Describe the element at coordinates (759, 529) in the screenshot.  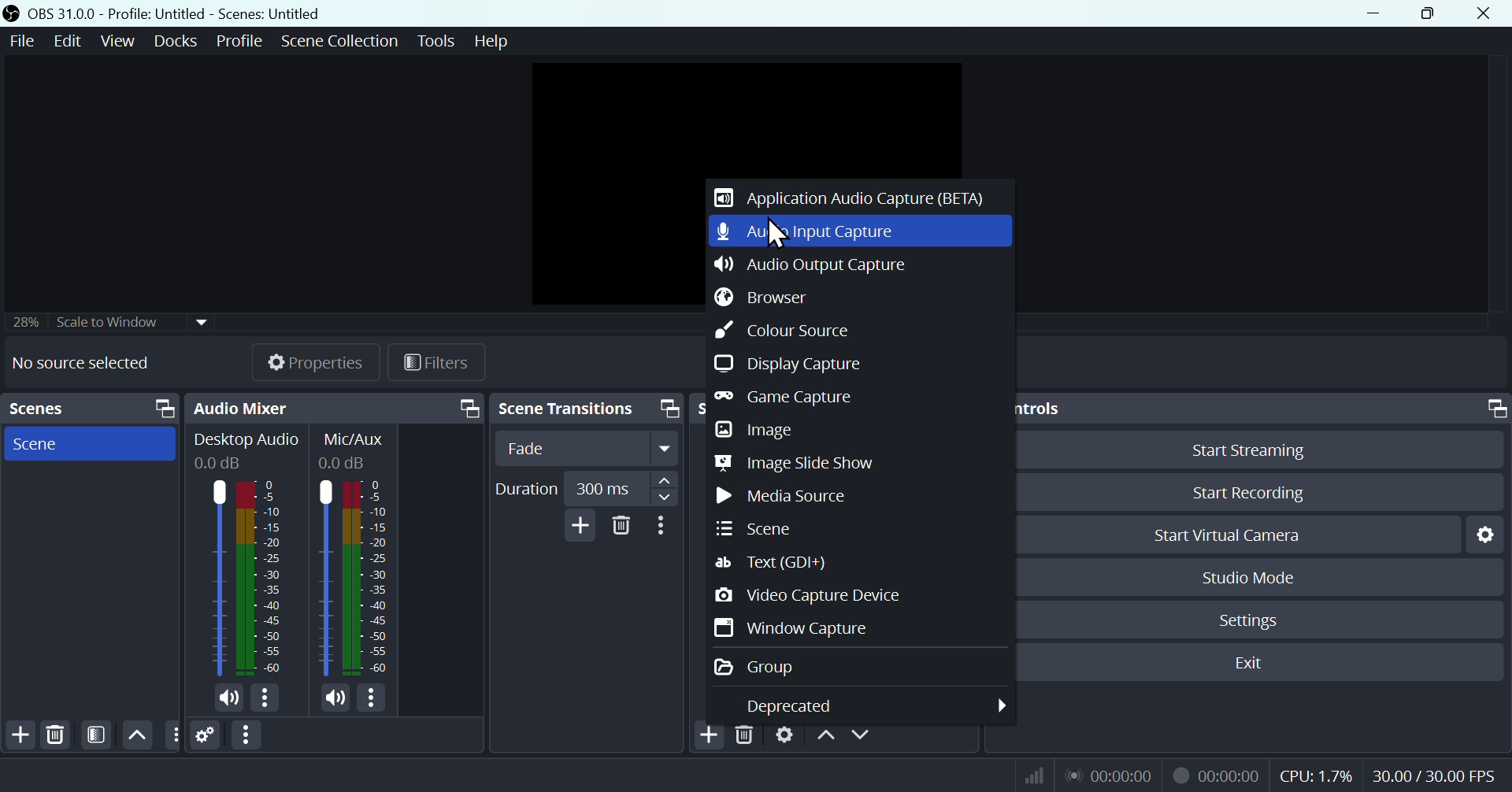
I see `Scene` at that location.